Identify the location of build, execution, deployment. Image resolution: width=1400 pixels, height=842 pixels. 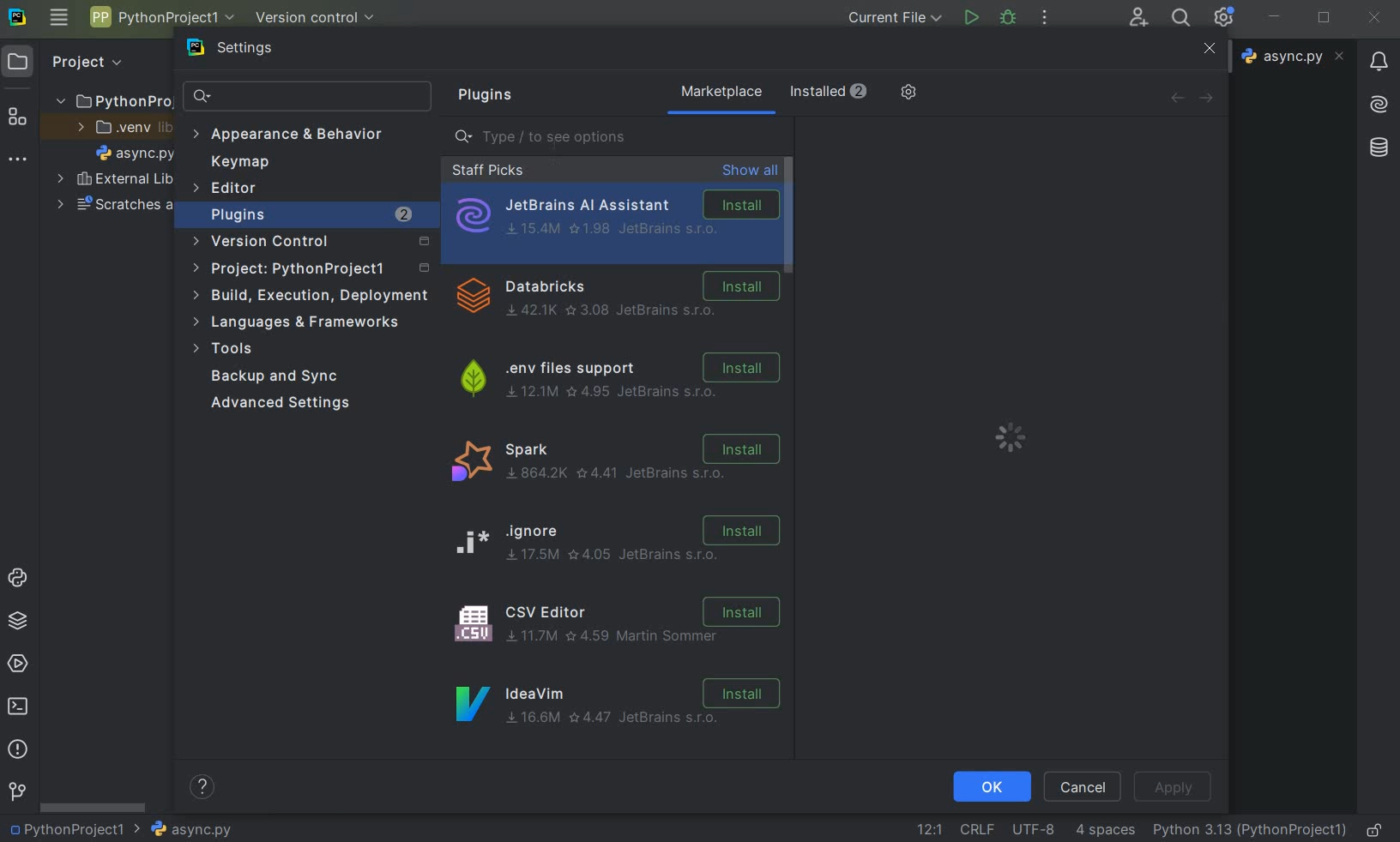
(311, 297).